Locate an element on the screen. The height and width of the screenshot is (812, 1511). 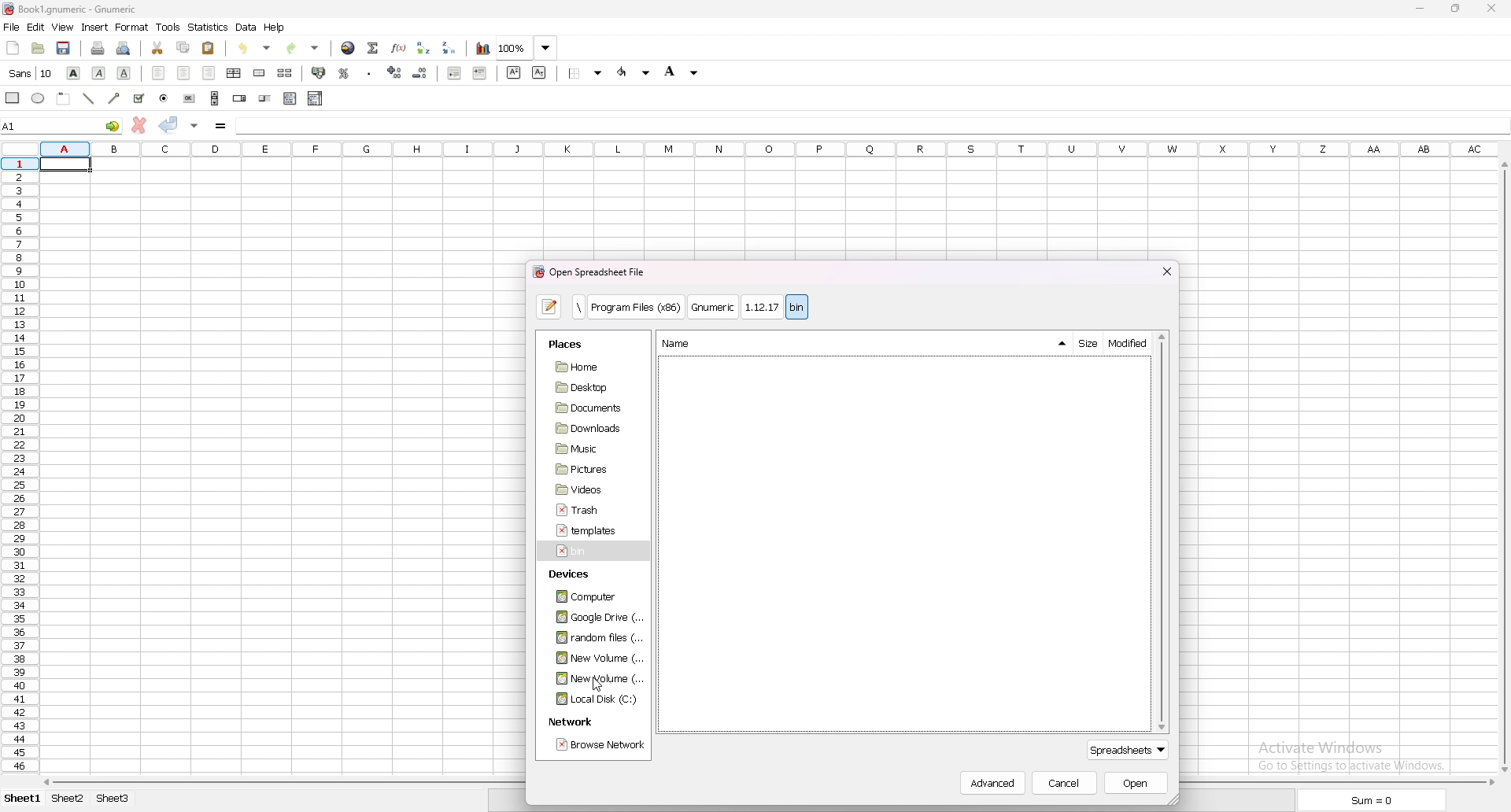
new volume is located at coordinates (593, 658).